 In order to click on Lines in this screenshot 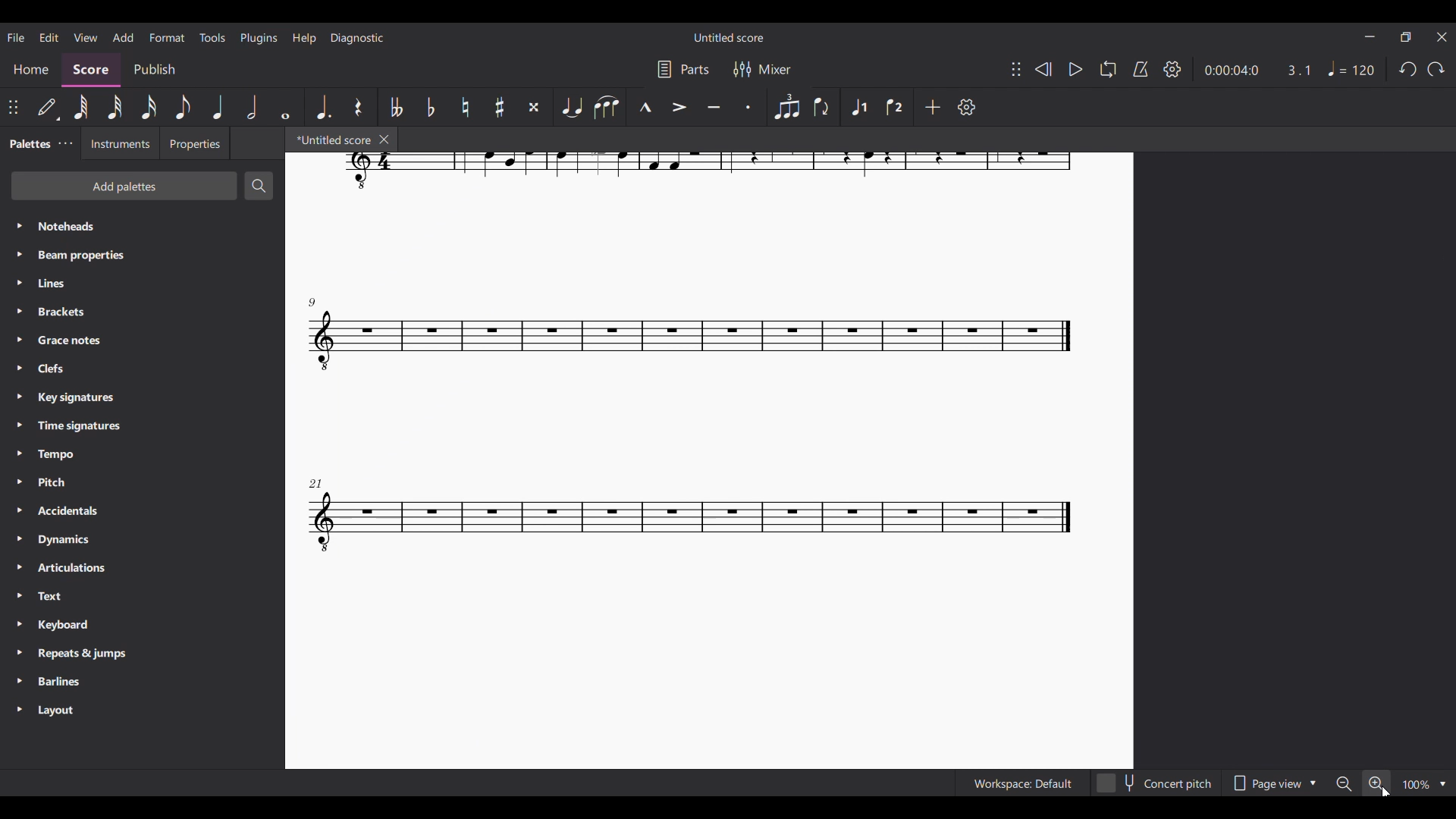, I will do `click(142, 283)`.